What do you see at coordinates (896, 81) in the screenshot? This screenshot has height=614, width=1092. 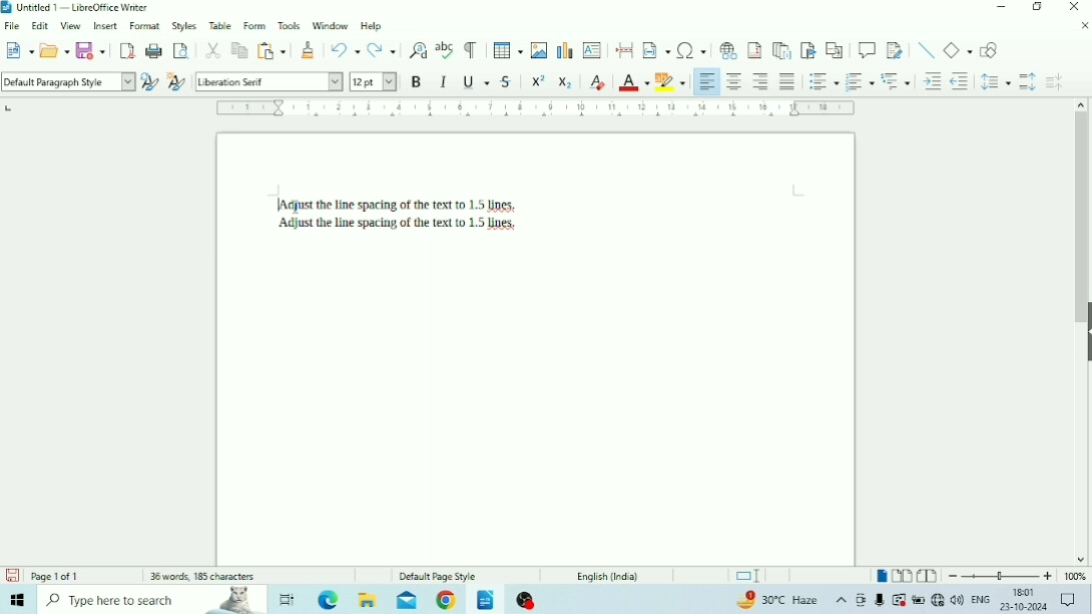 I see `Select Outline Format` at bounding box center [896, 81].